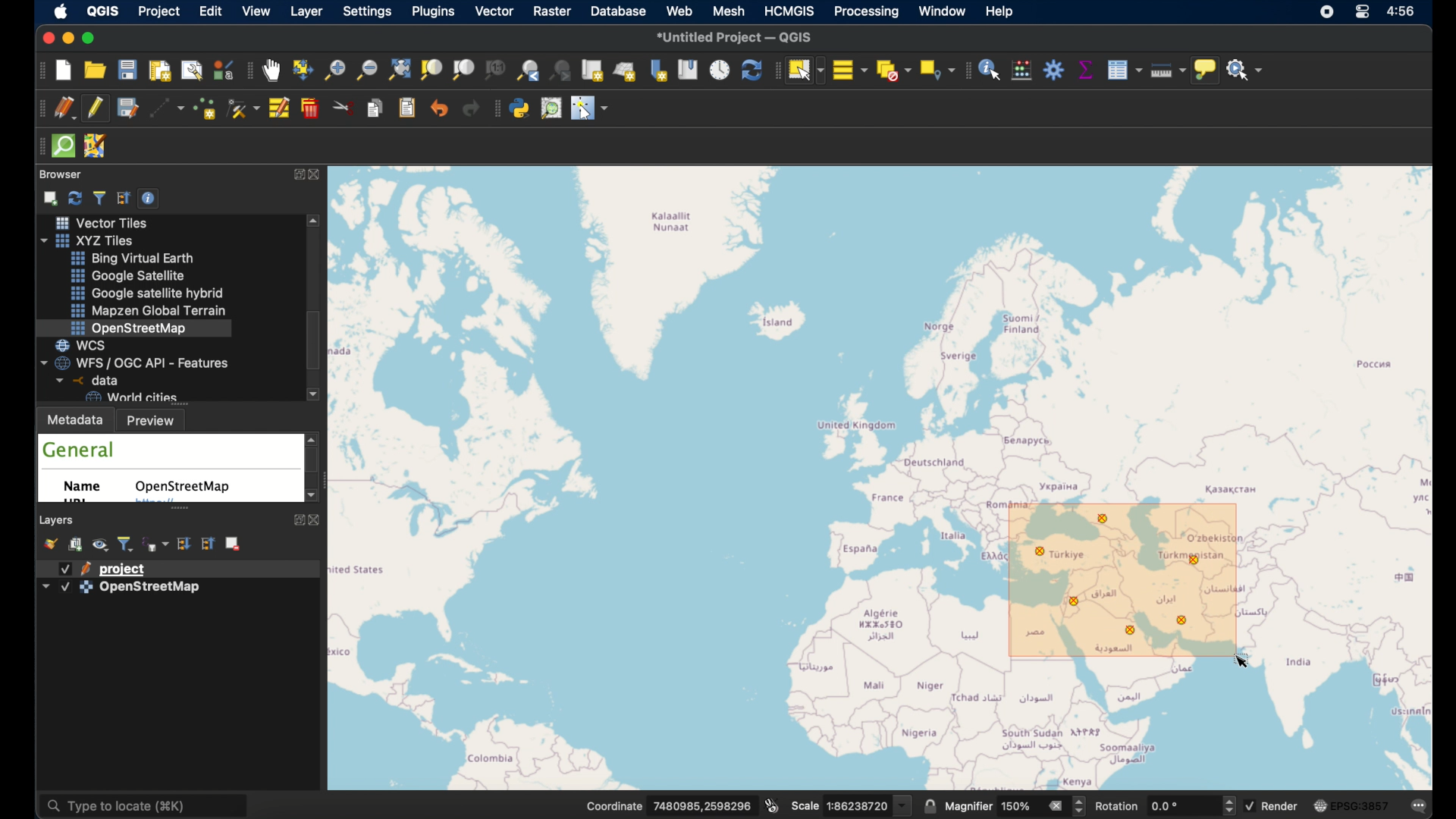 The width and height of the screenshot is (1456, 819). What do you see at coordinates (789, 11) in the screenshot?
I see `HCMGIS` at bounding box center [789, 11].